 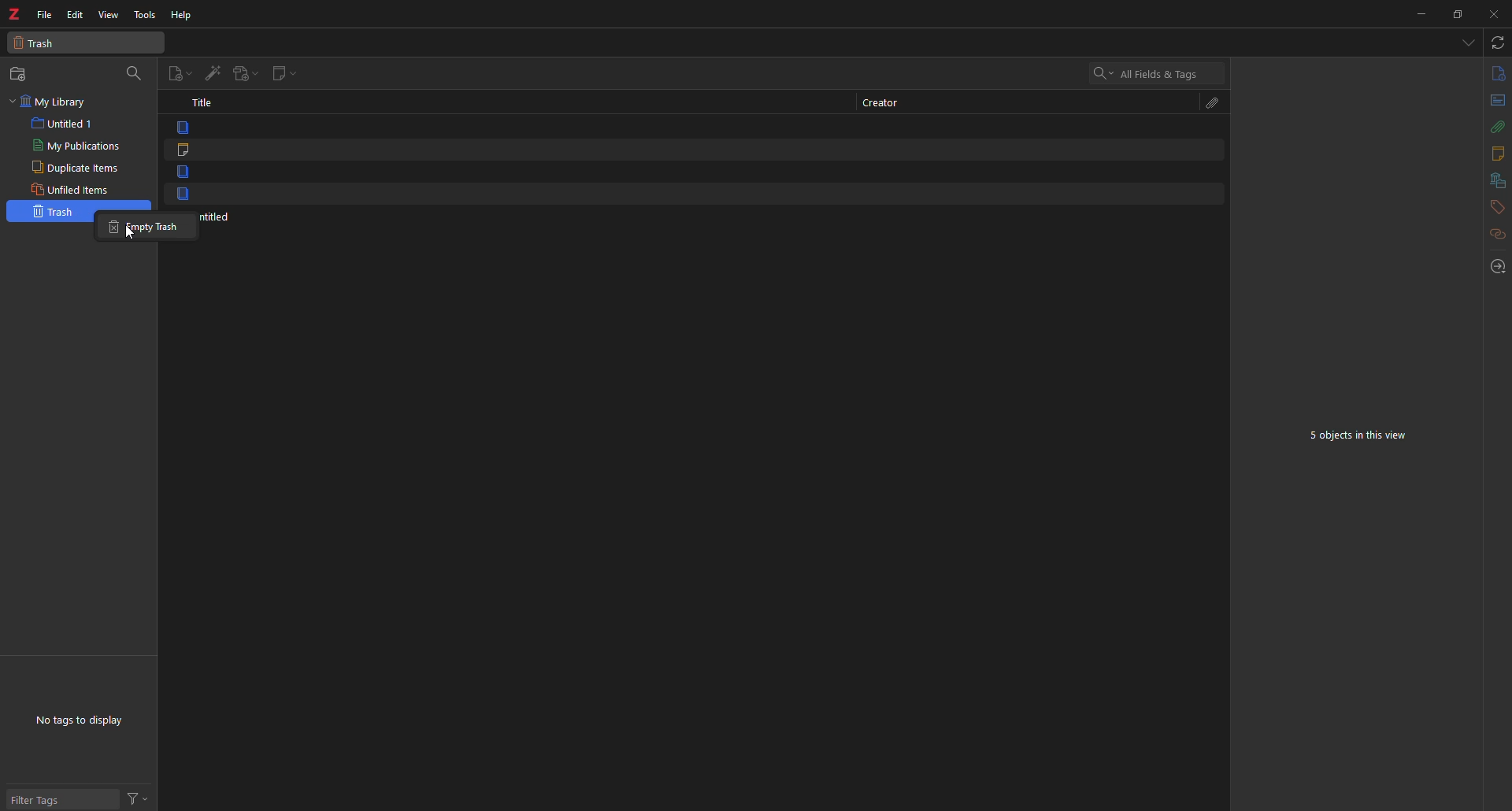 I want to click on trash, so click(x=52, y=211).